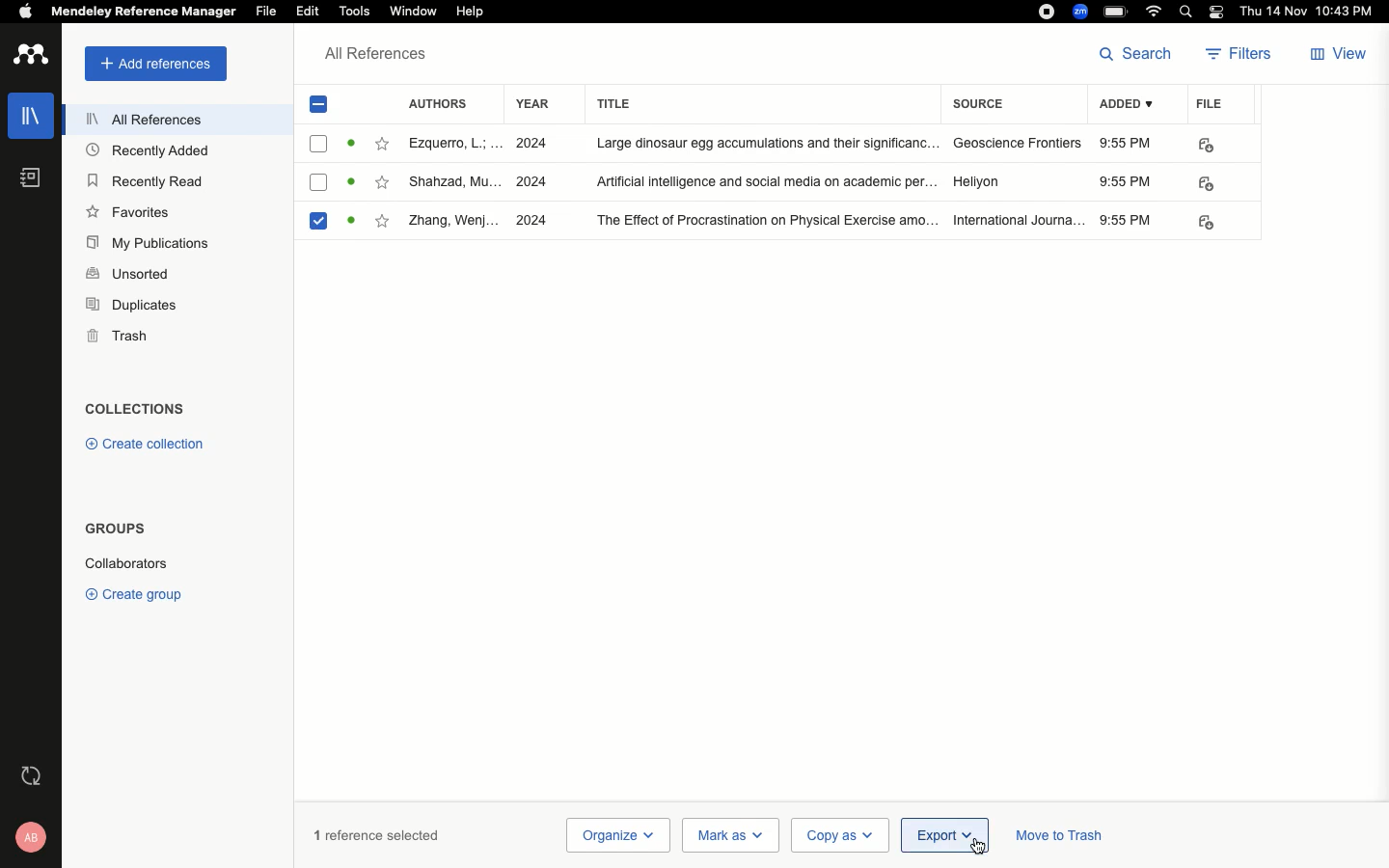  I want to click on All references, so click(376, 58).